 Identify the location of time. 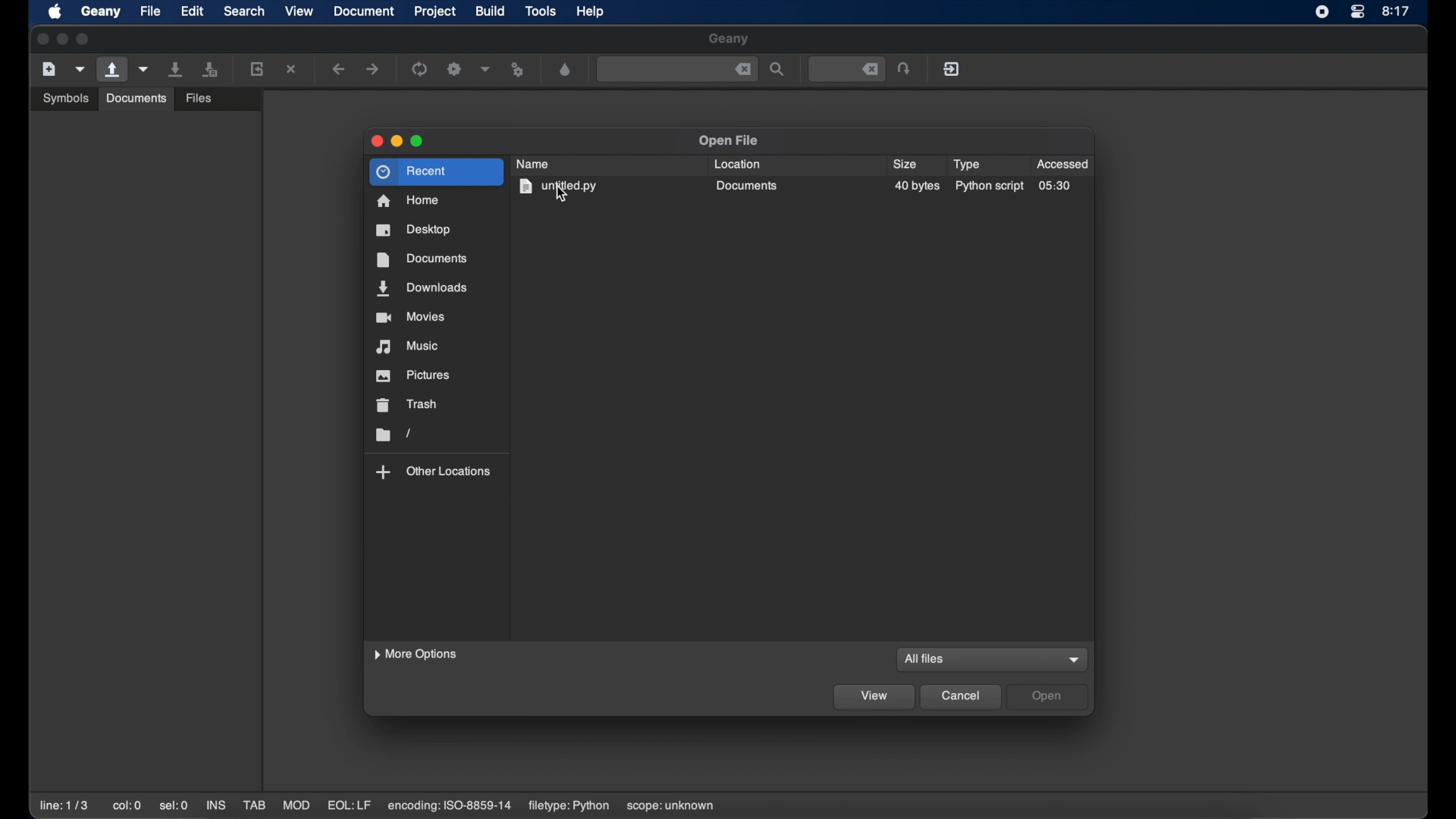
(1397, 11).